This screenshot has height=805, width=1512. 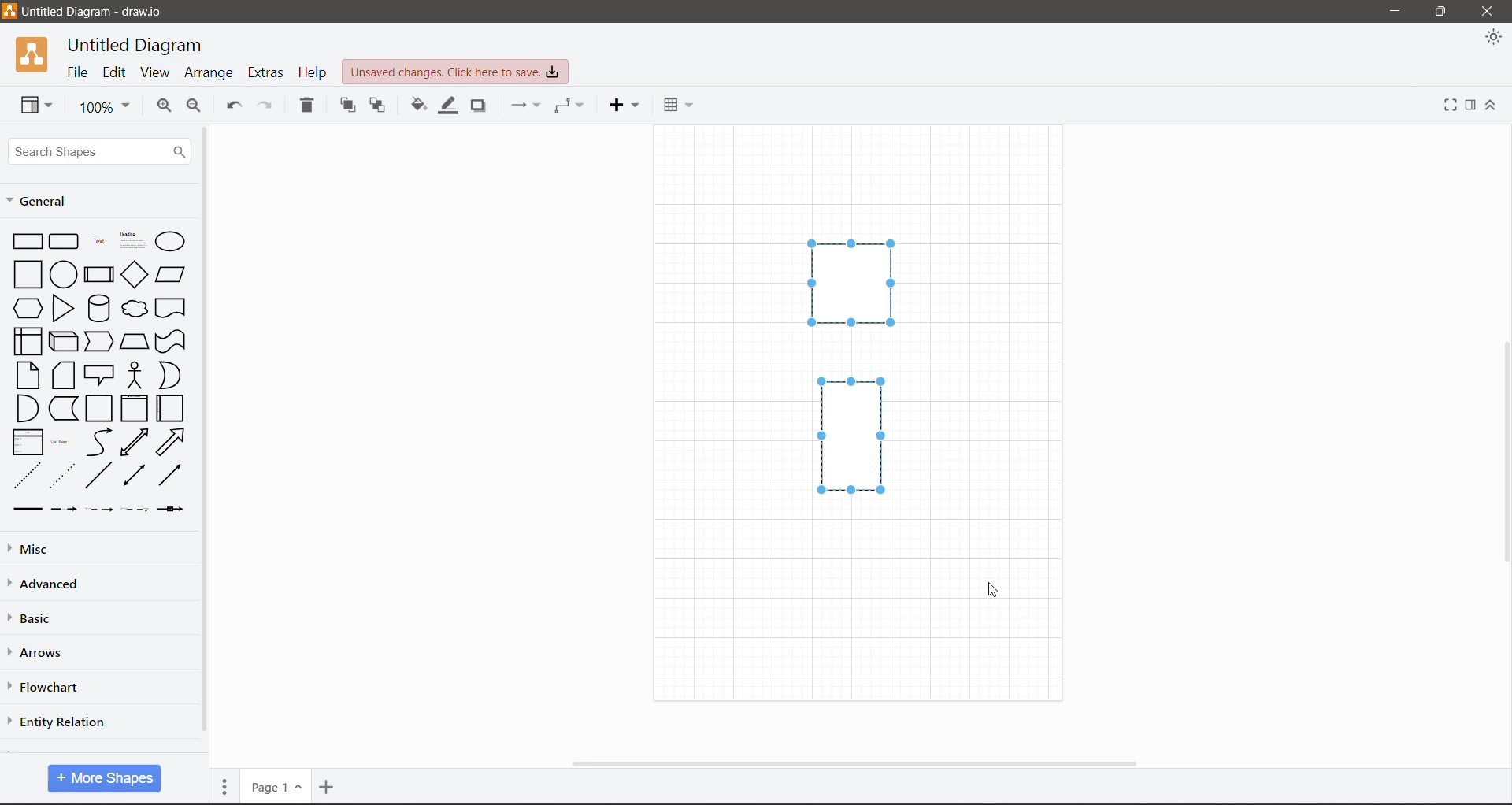 What do you see at coordinates (418, 108) in the screenshot?
I see `Fill Color` at bounding box center [418, 108].